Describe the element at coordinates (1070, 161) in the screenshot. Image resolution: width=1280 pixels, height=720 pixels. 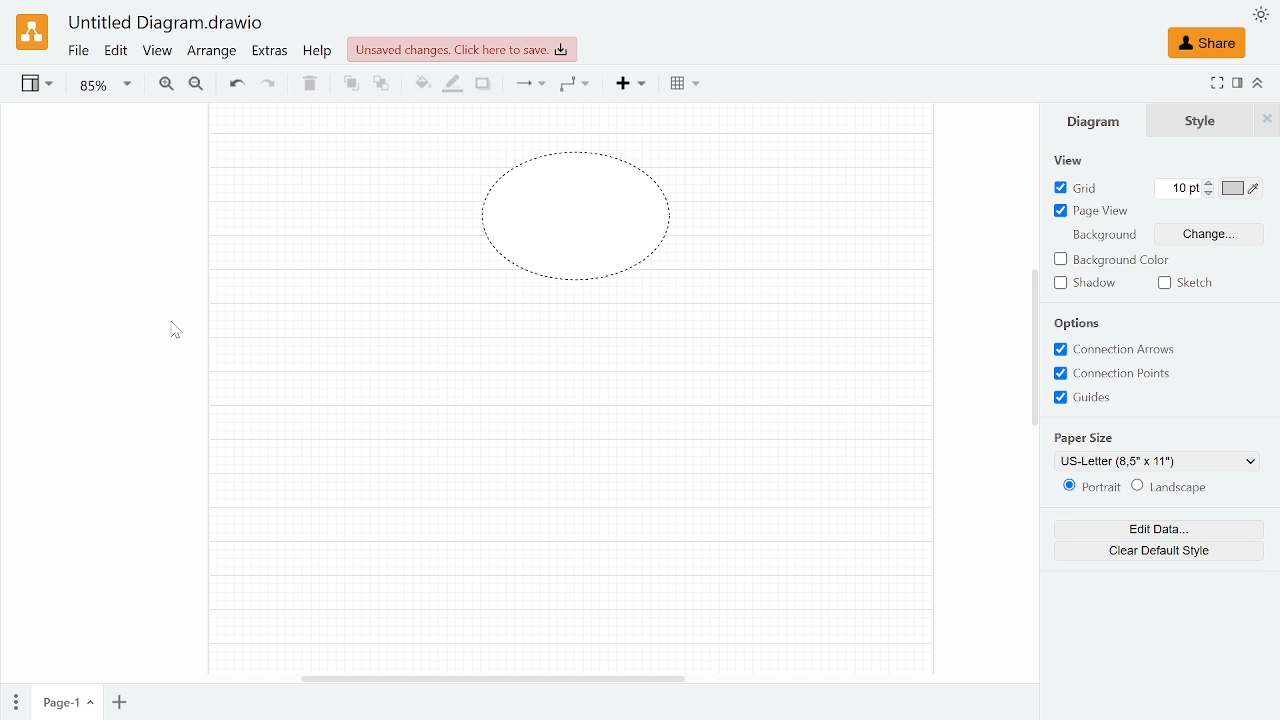
I see `view` at that location.